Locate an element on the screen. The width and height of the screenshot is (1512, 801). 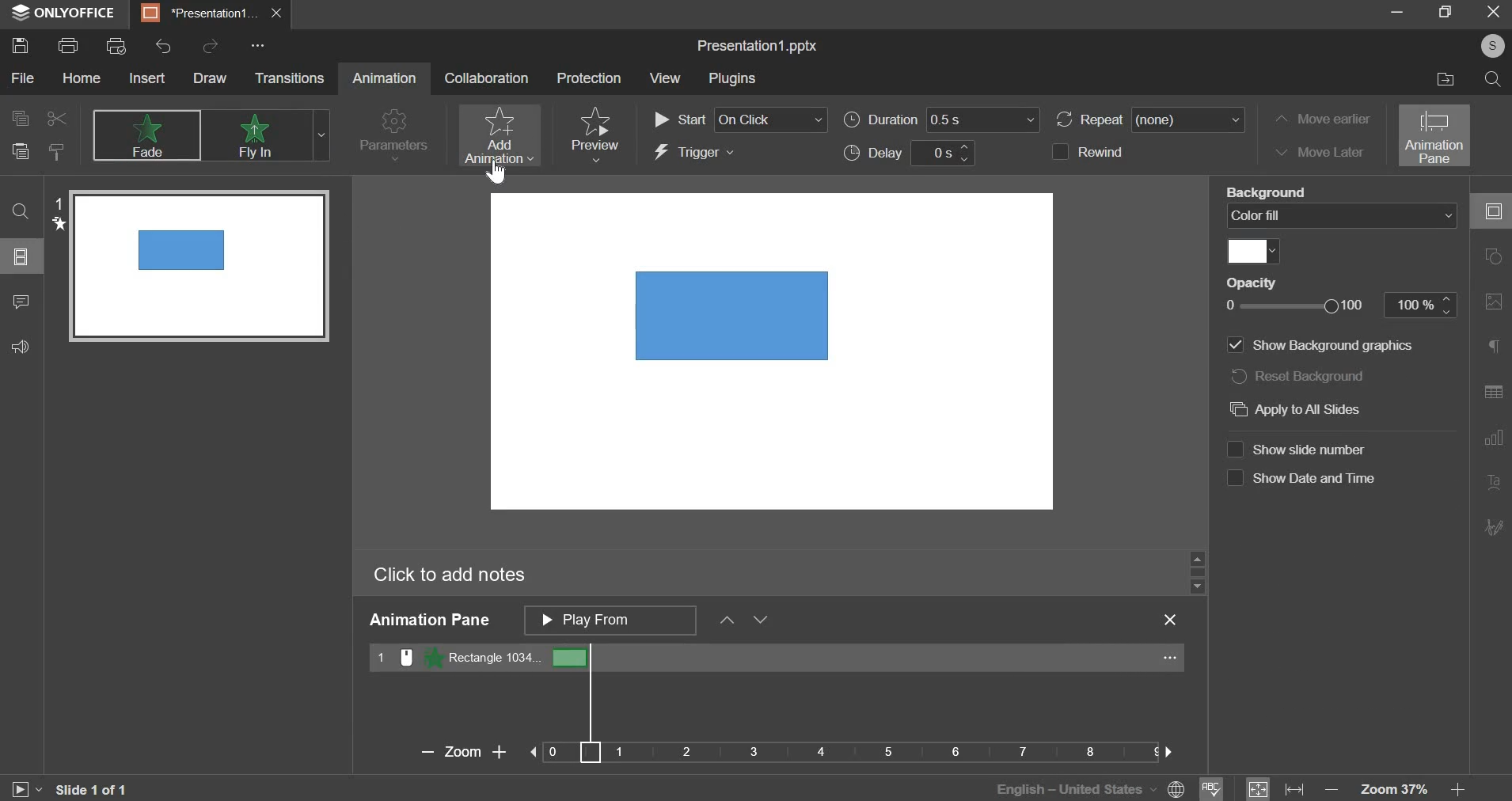
spell check is located at coordinates (1217, 786).